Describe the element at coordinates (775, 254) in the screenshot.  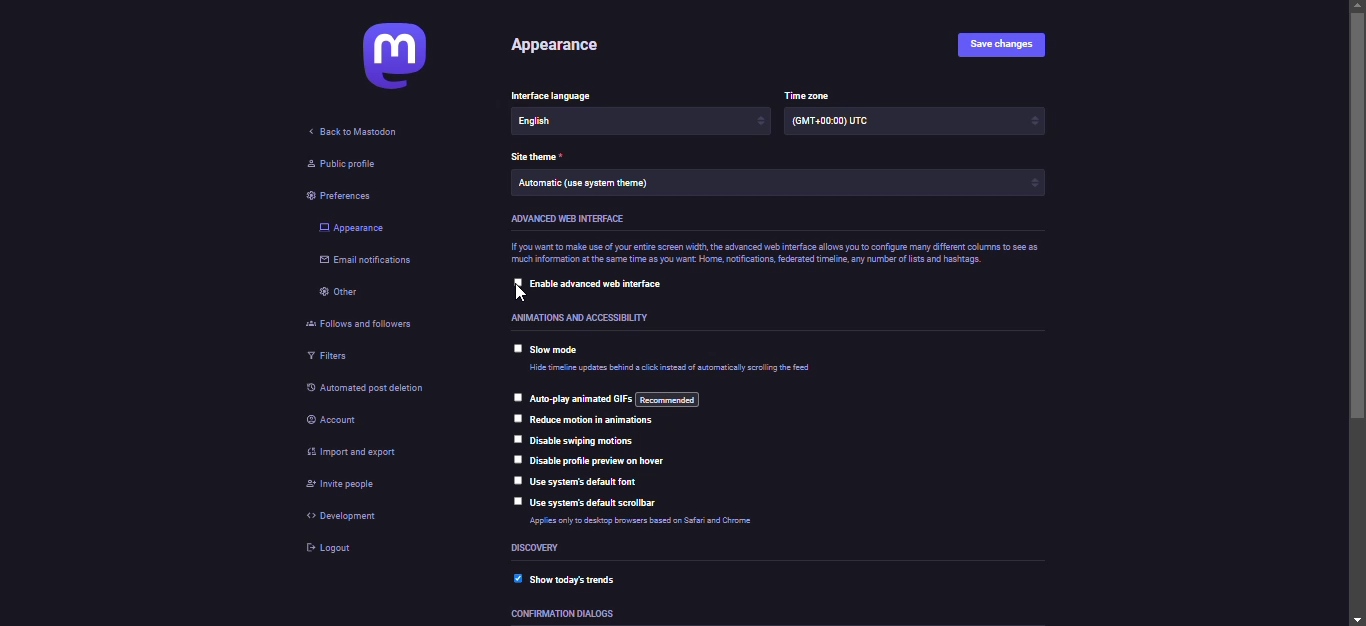
I see `If you want to make use of your entire screen width, the advanced web interface allows you to configure many different columns to see as much information at the same time as you want Home, notifications, federated time, any number of lists and hashtags.` at that location.